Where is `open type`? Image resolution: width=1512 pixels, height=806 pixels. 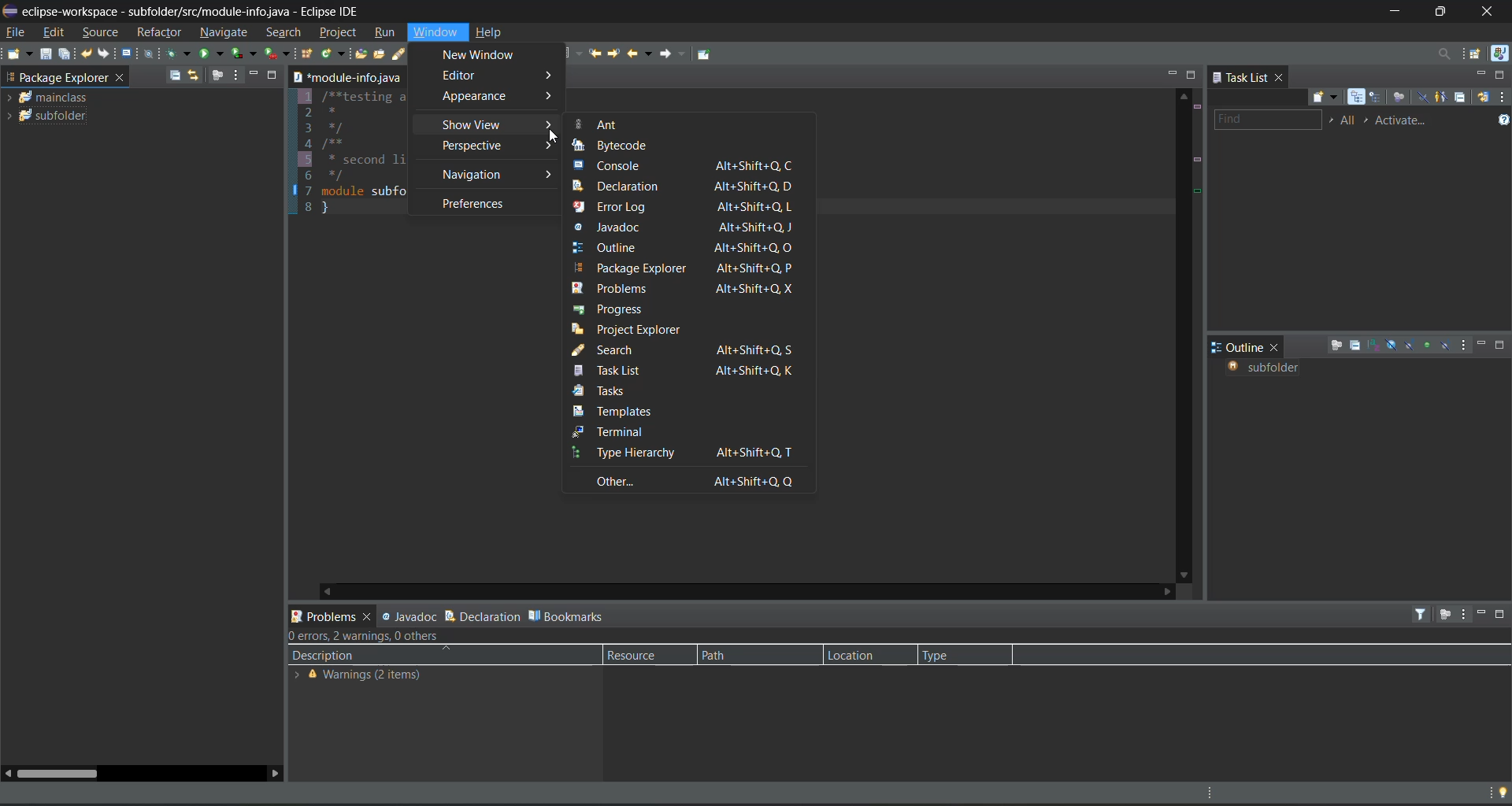 open type is located at coordinates (360, 54).